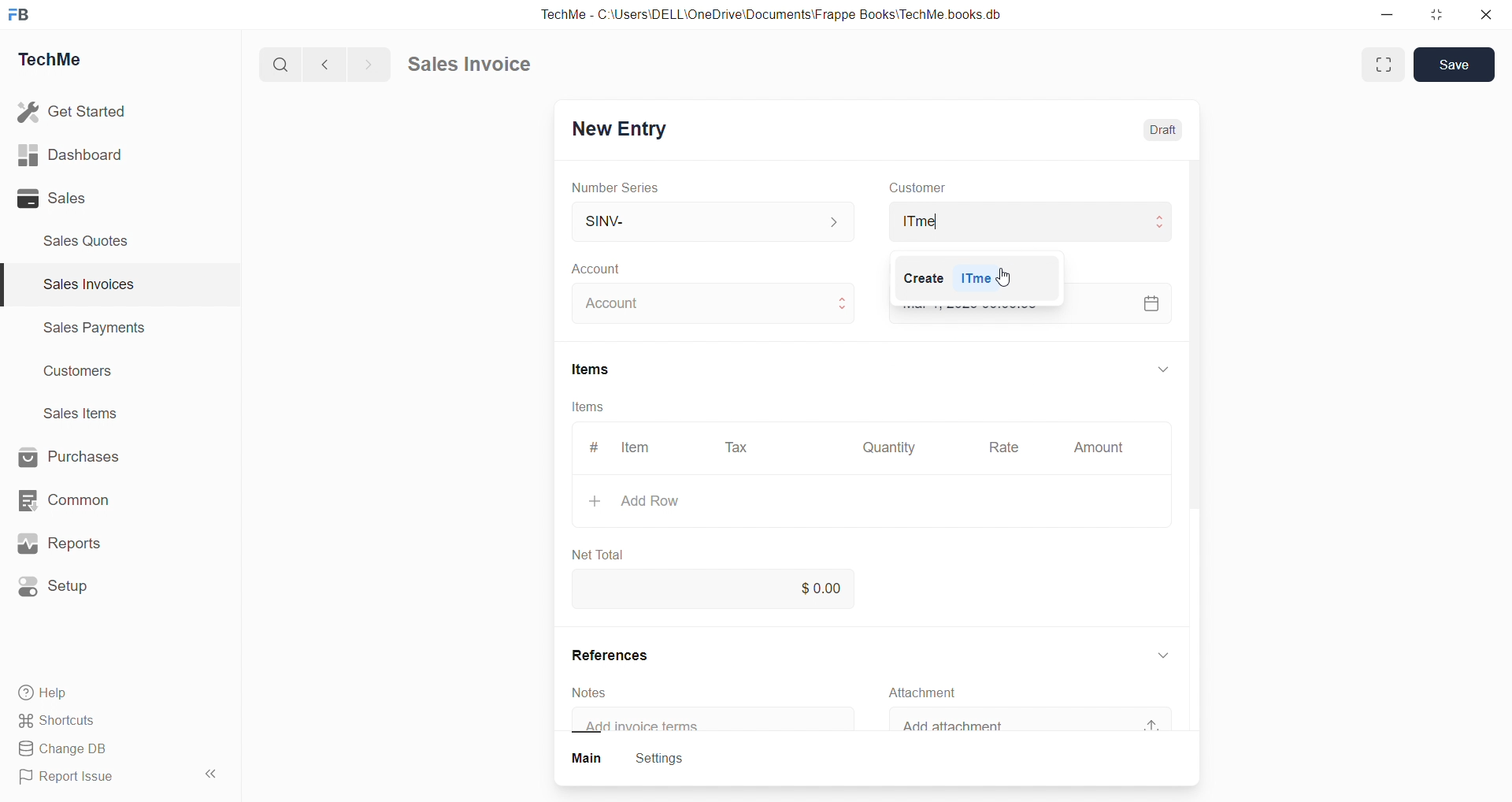  What do you see at coordinates (82, 287) in the screenshot?
I see `Sales Invoices` at bounding box center [82, 287].